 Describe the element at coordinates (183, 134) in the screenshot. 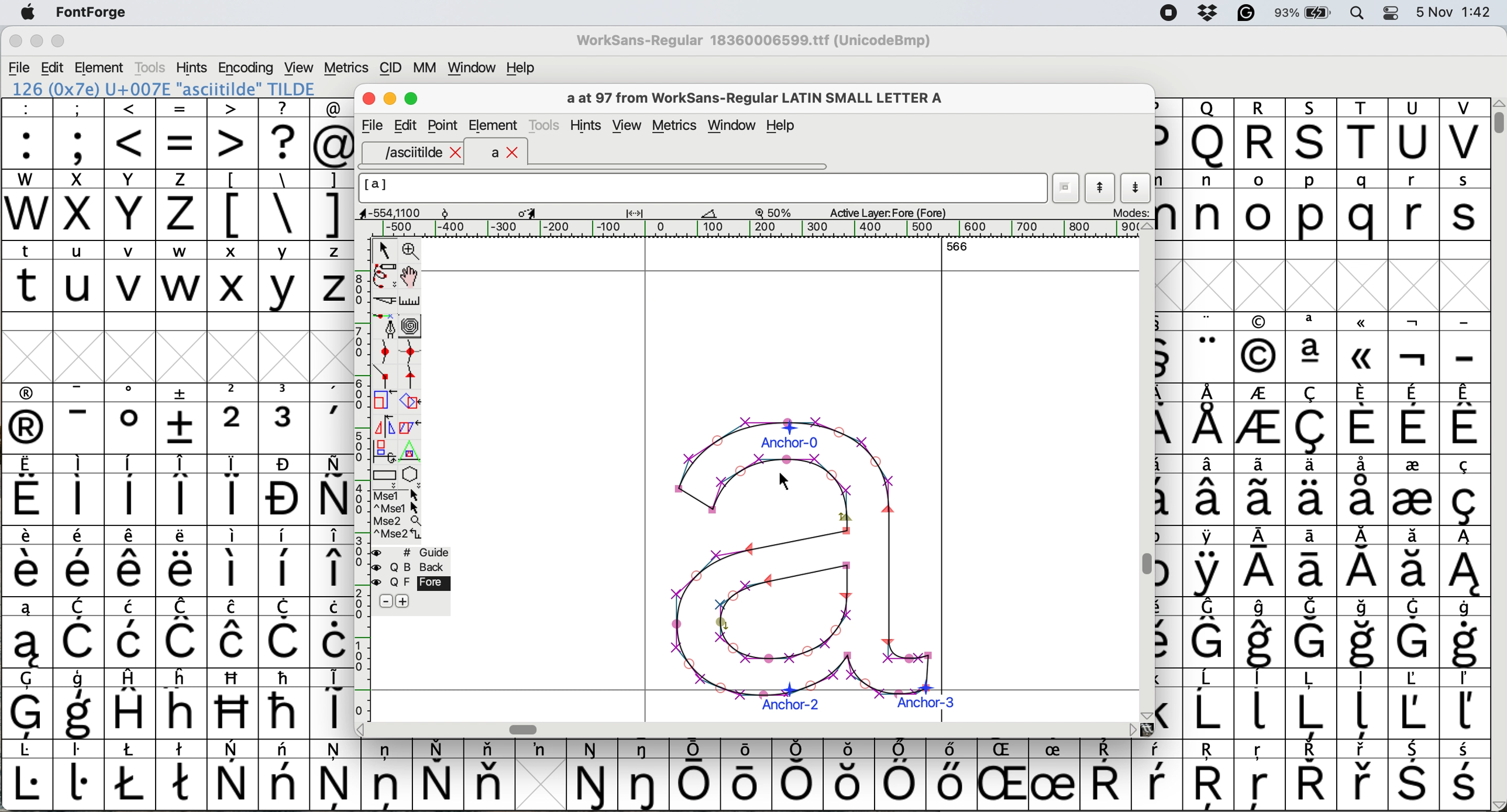

I see `=` at that location.